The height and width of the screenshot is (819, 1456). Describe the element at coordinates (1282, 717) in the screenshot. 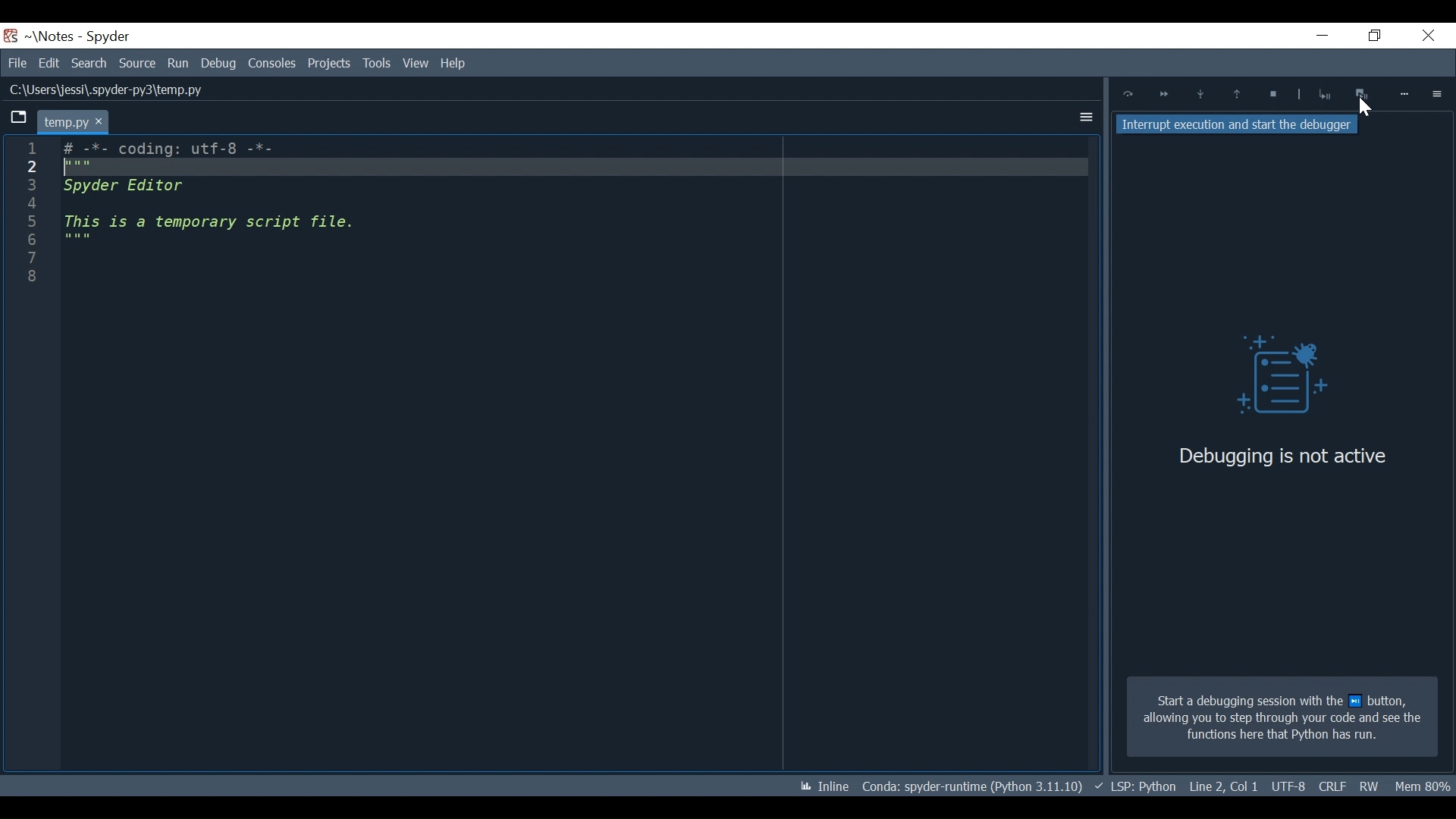

I see `Start a debugging session with the next button allowing you to step through your code and see the functions here that Python has run` at that location.